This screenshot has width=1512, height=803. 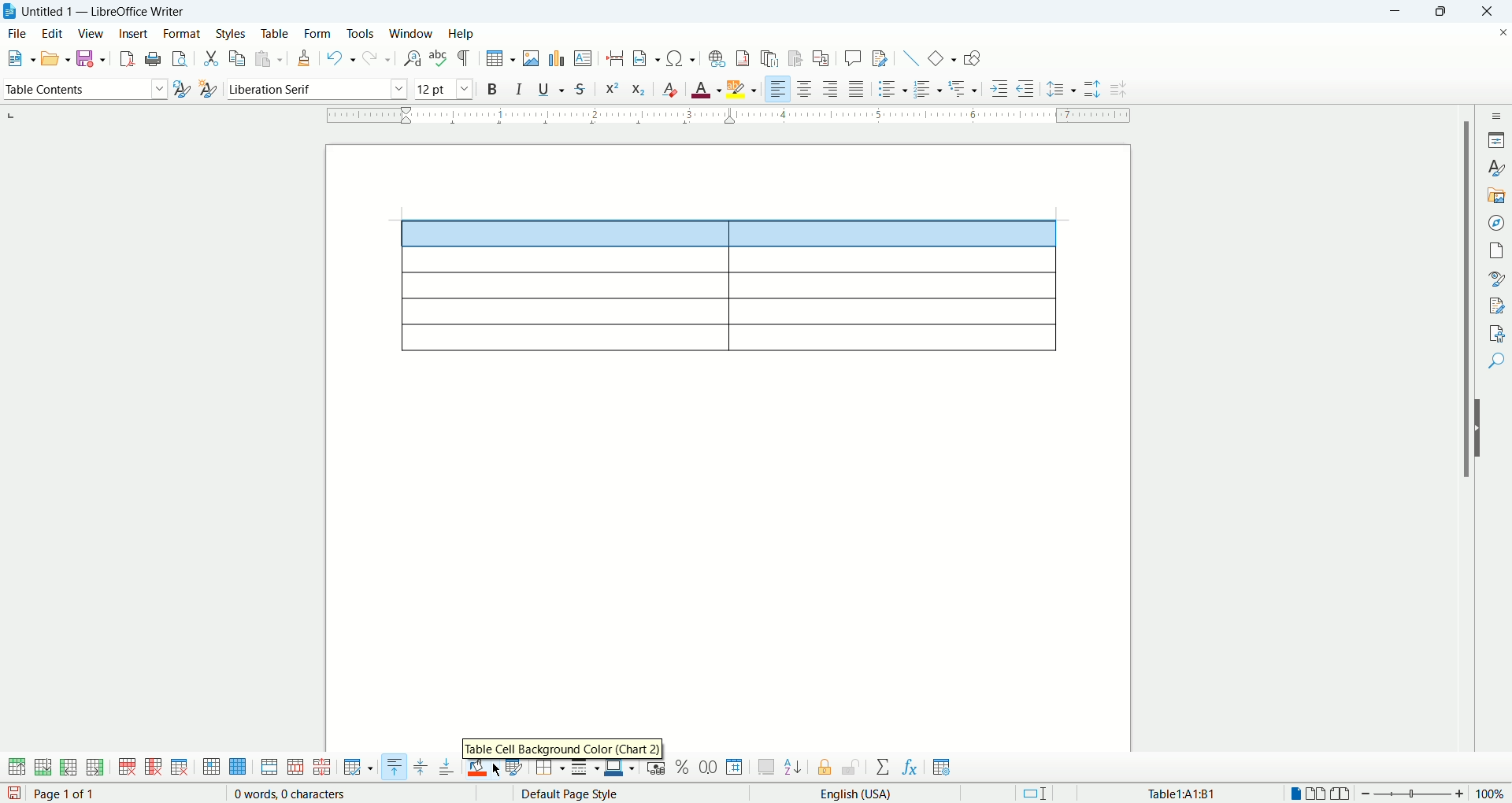 I want to click on insert caption, so click(x=766, y=767).